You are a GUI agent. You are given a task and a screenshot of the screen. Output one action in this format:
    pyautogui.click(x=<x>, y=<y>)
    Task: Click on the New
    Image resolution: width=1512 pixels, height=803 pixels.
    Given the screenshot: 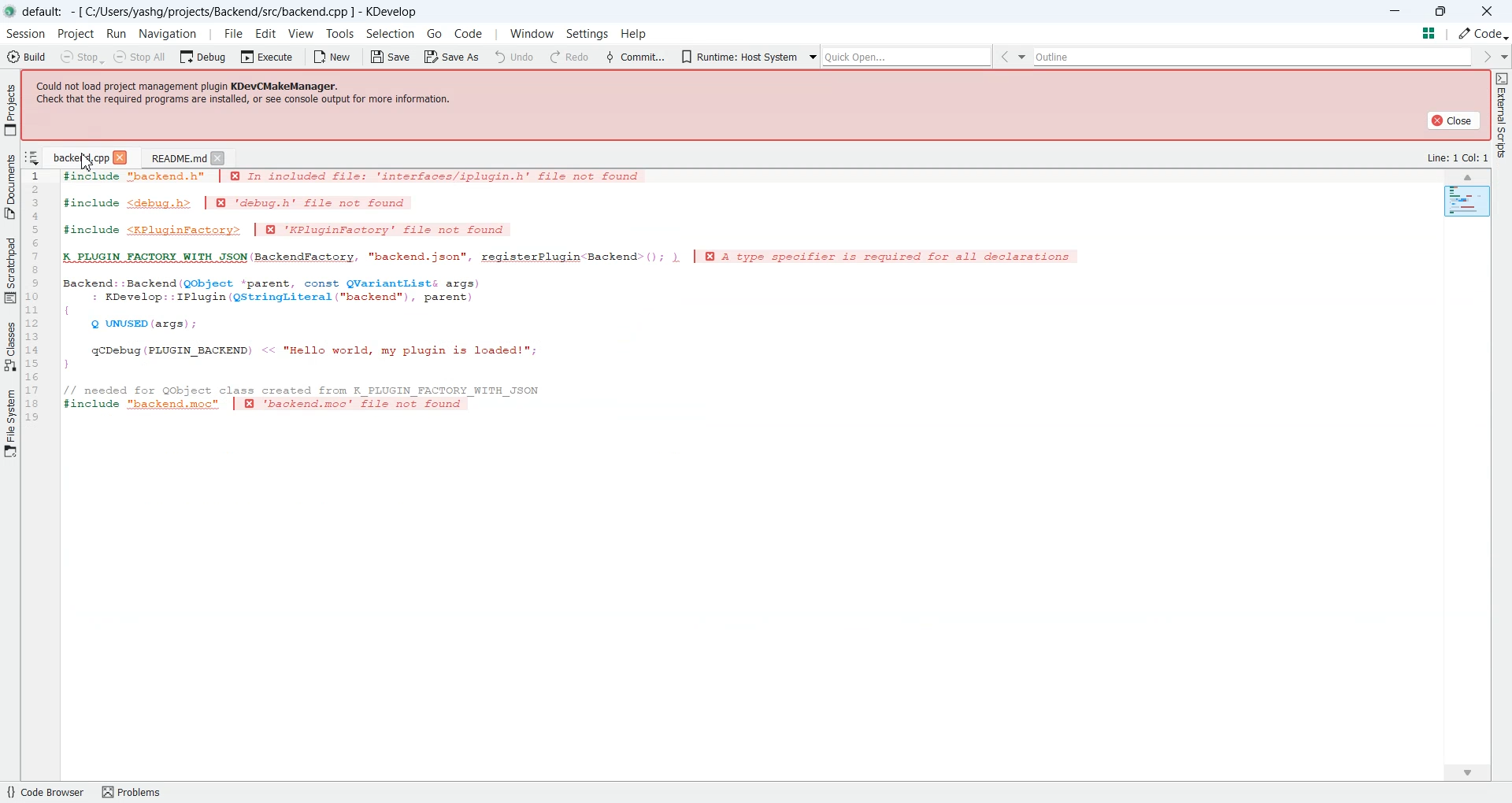 What is the action you would take?
    pyautogui.click(x=335, y=57)
    